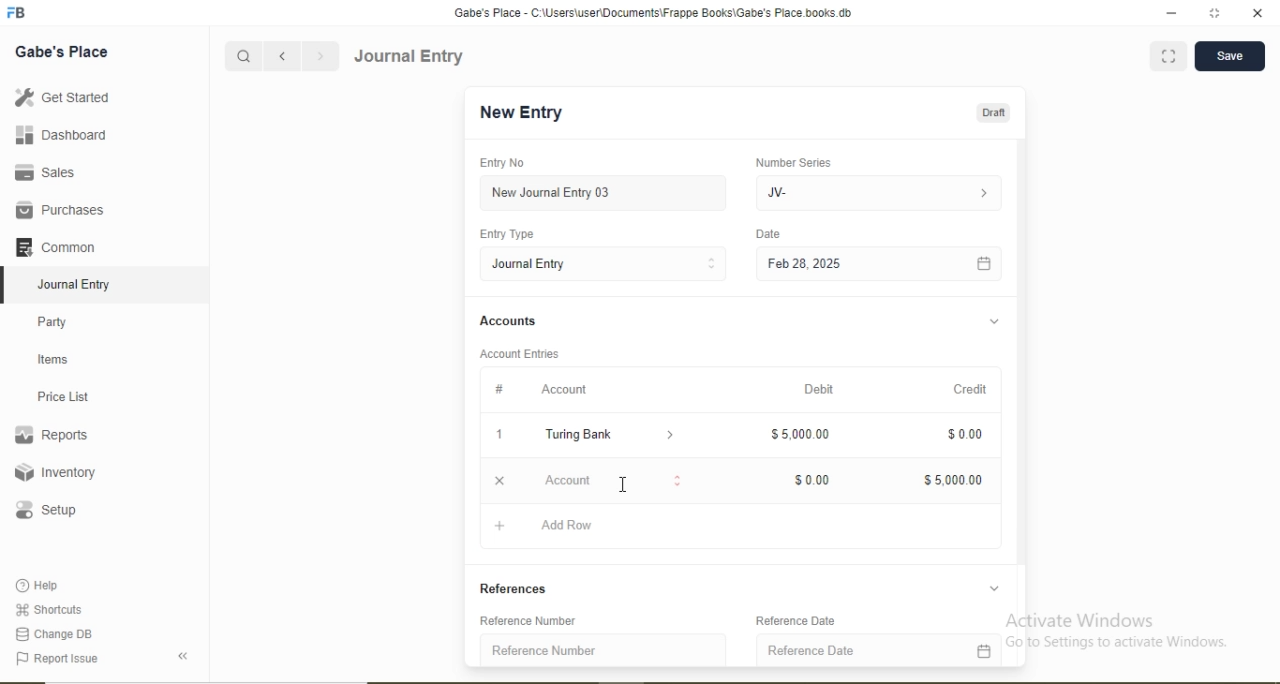 Image resolution: width=1280 pixels, height=684 pixels. What do you see at coordinates (767, 233) in the screenshot?
I see `Date` at bounding box center [767, 233].